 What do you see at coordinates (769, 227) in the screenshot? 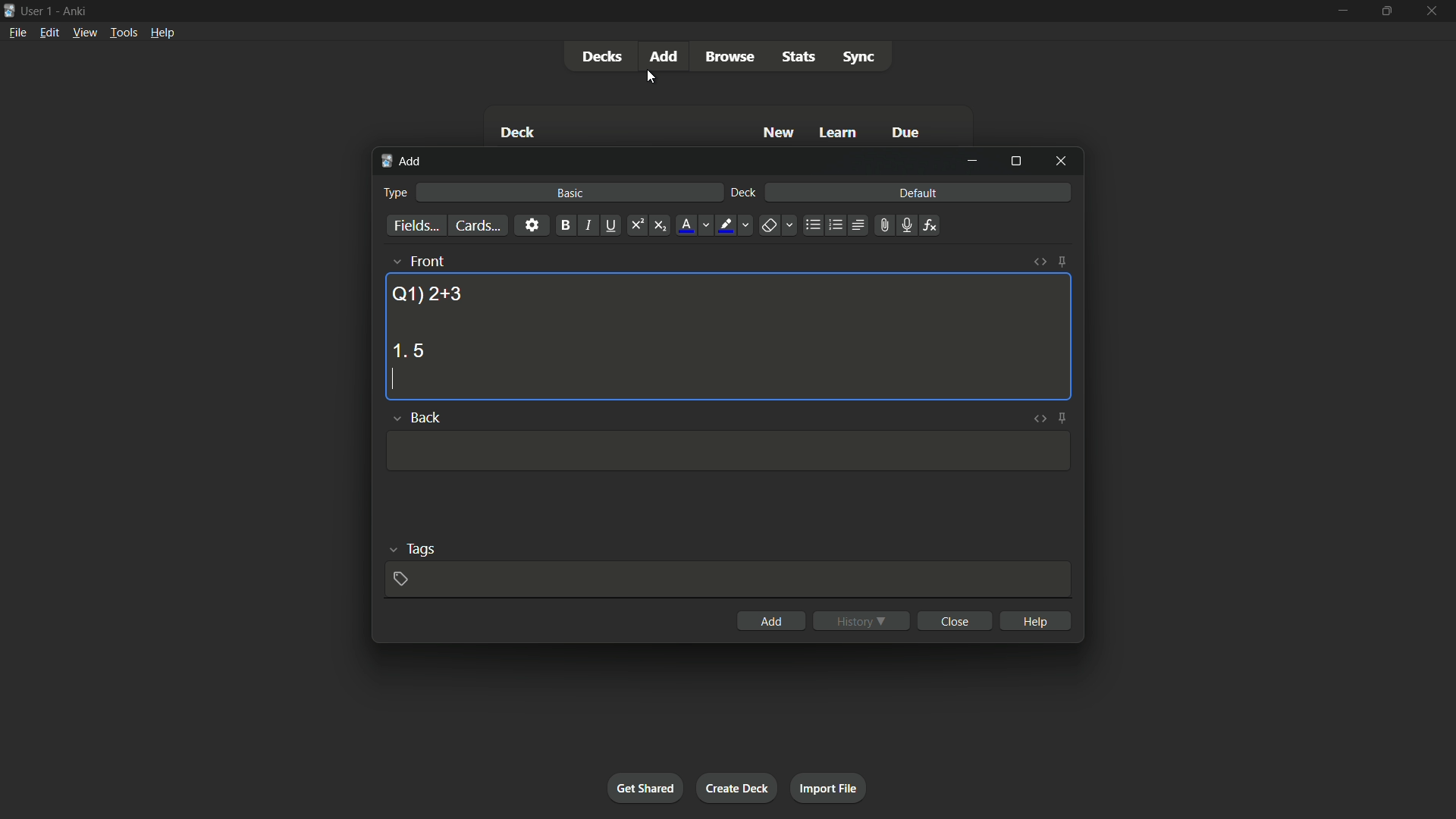
I see `remove formatting` at bounding box center [769, 227].